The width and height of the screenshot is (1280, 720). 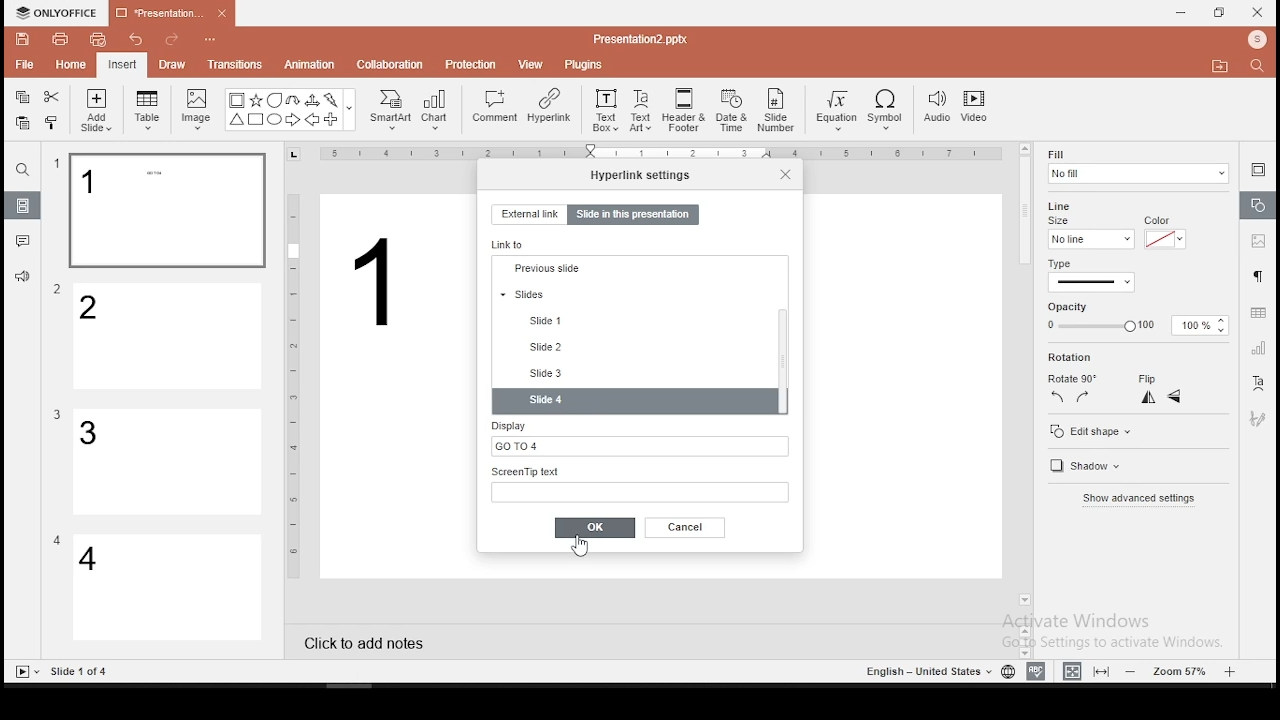 What do you see at coordinates (1058, 396) in the screenshot?
I see `rotate 90 counterclockwise` at bounding box center [1058, 396].